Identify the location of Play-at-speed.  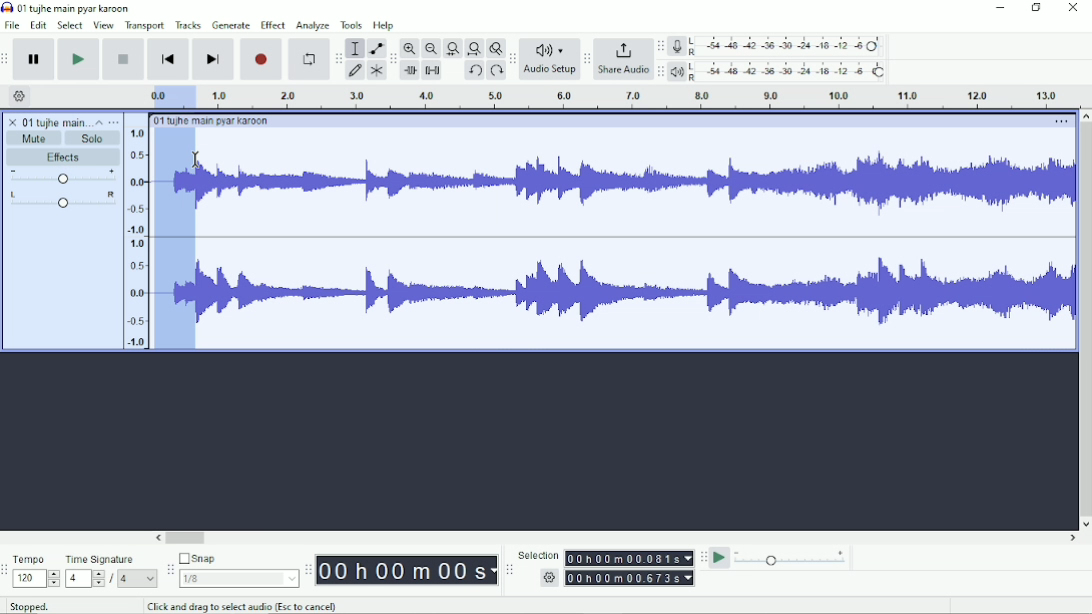
(721, 558).